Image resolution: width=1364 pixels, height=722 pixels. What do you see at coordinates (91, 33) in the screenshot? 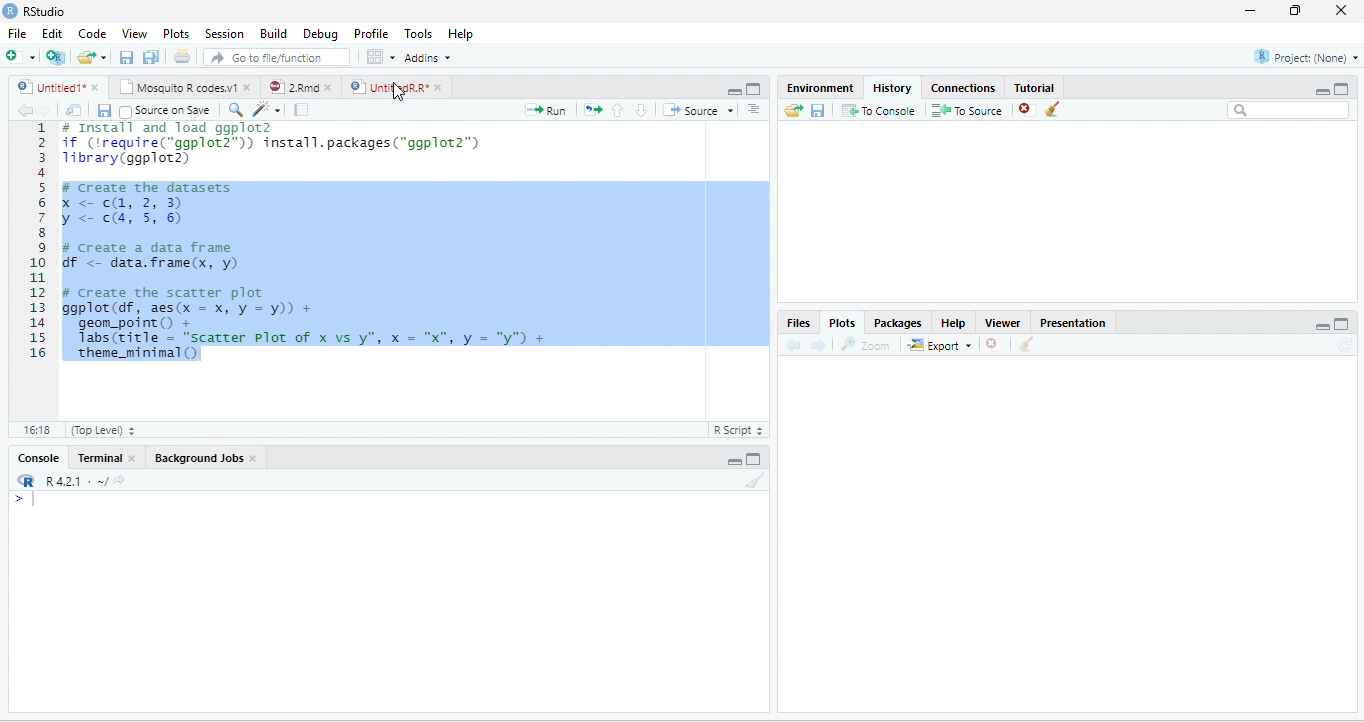
I see `Code` at bounding box center [91, 33].